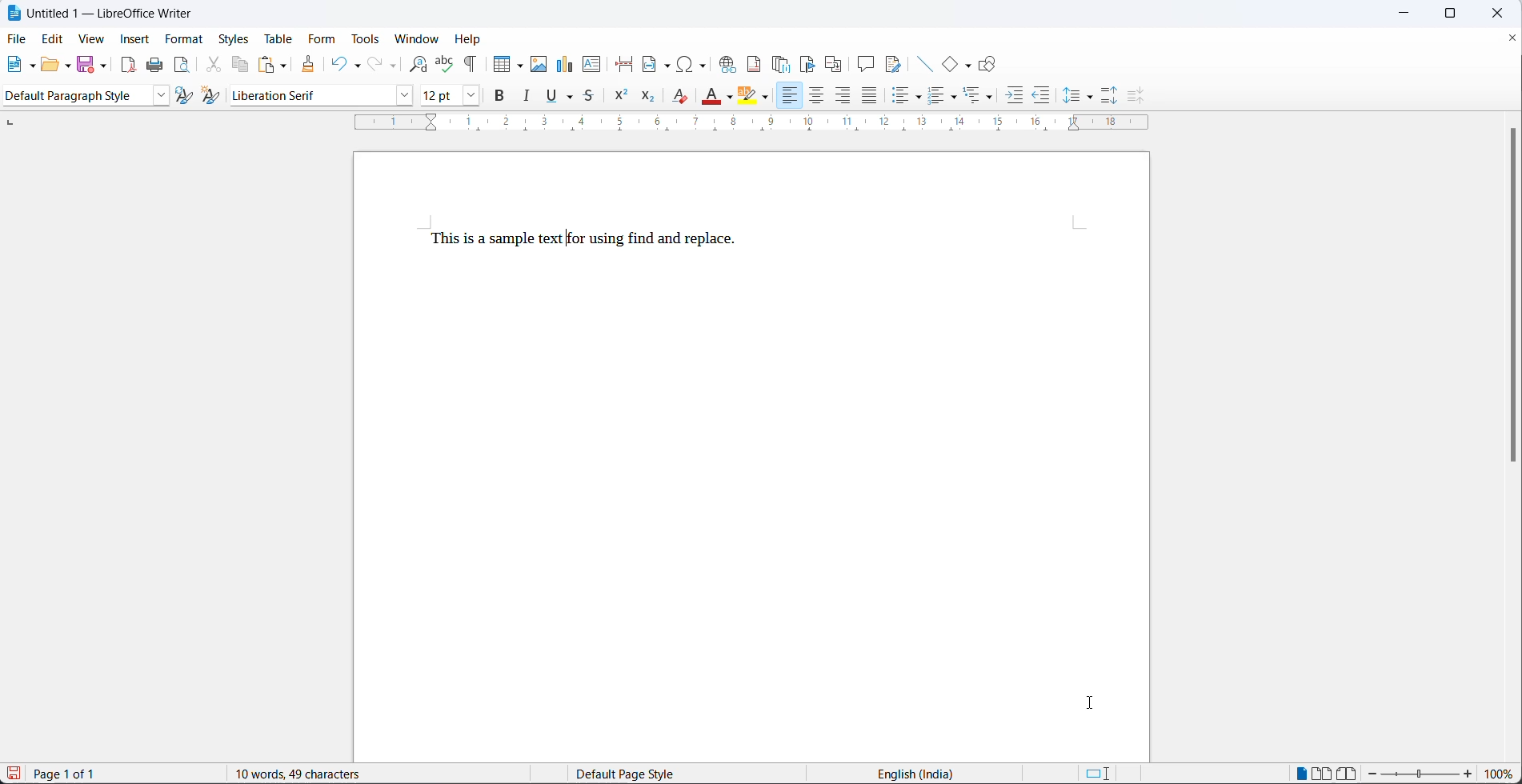 Image resolution: width=1522 pixels, height=784 pixels. I want to click on English (India), so click(920, 773).